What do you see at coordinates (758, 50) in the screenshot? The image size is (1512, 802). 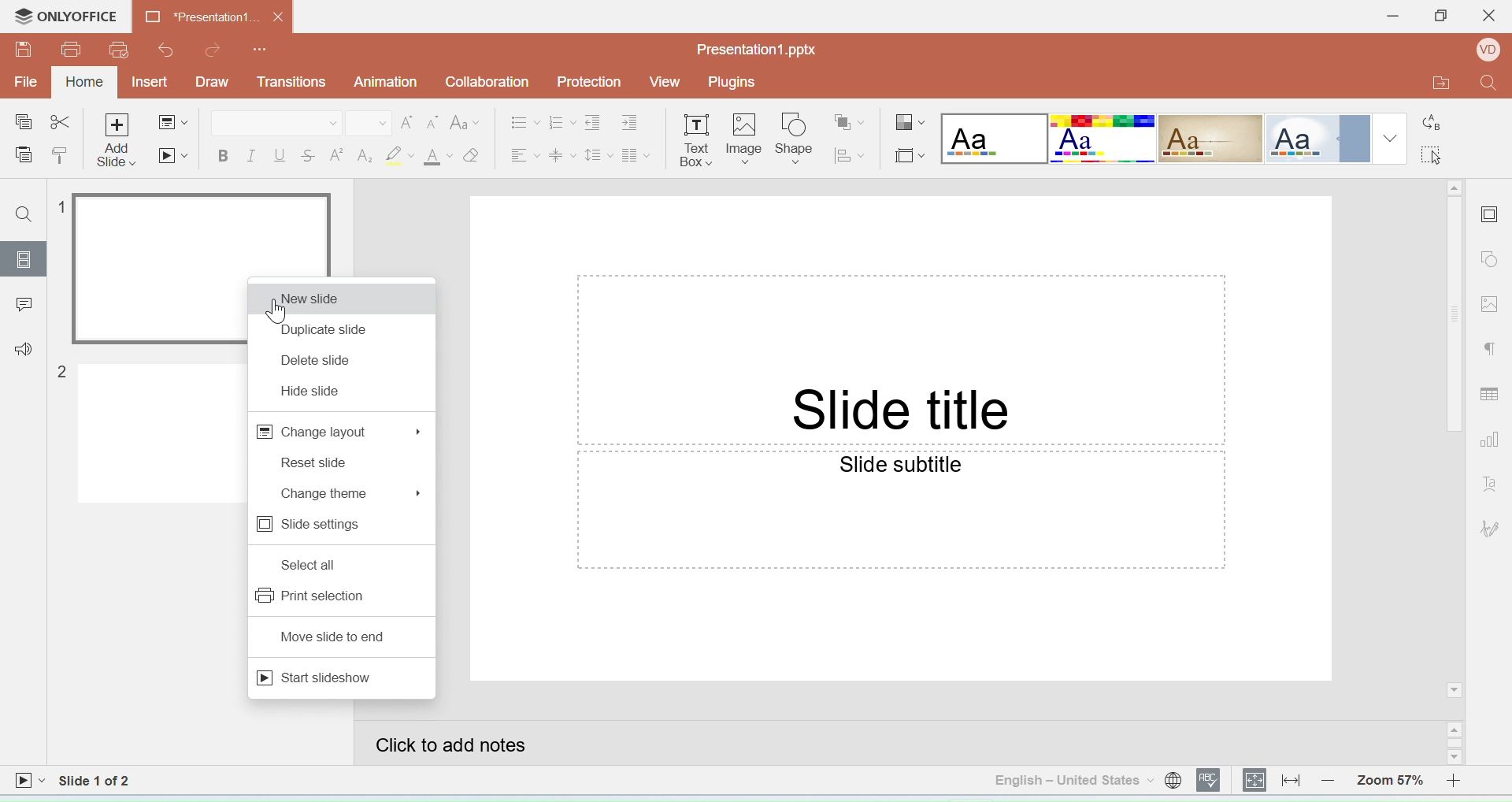 I see `File name` at bounding box center [758, 50].